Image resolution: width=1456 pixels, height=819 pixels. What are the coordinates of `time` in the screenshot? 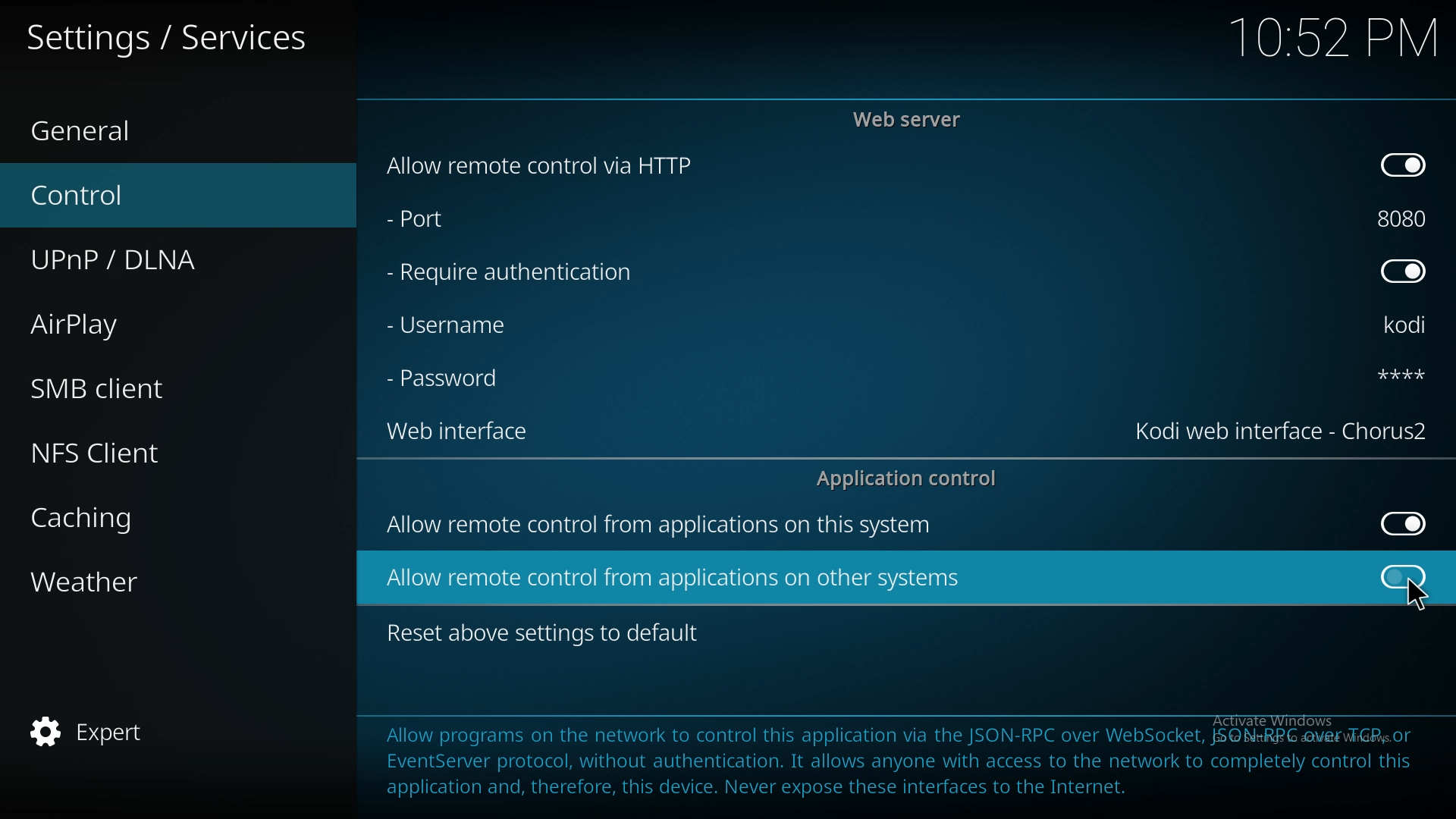 It's located at (1333, 36).